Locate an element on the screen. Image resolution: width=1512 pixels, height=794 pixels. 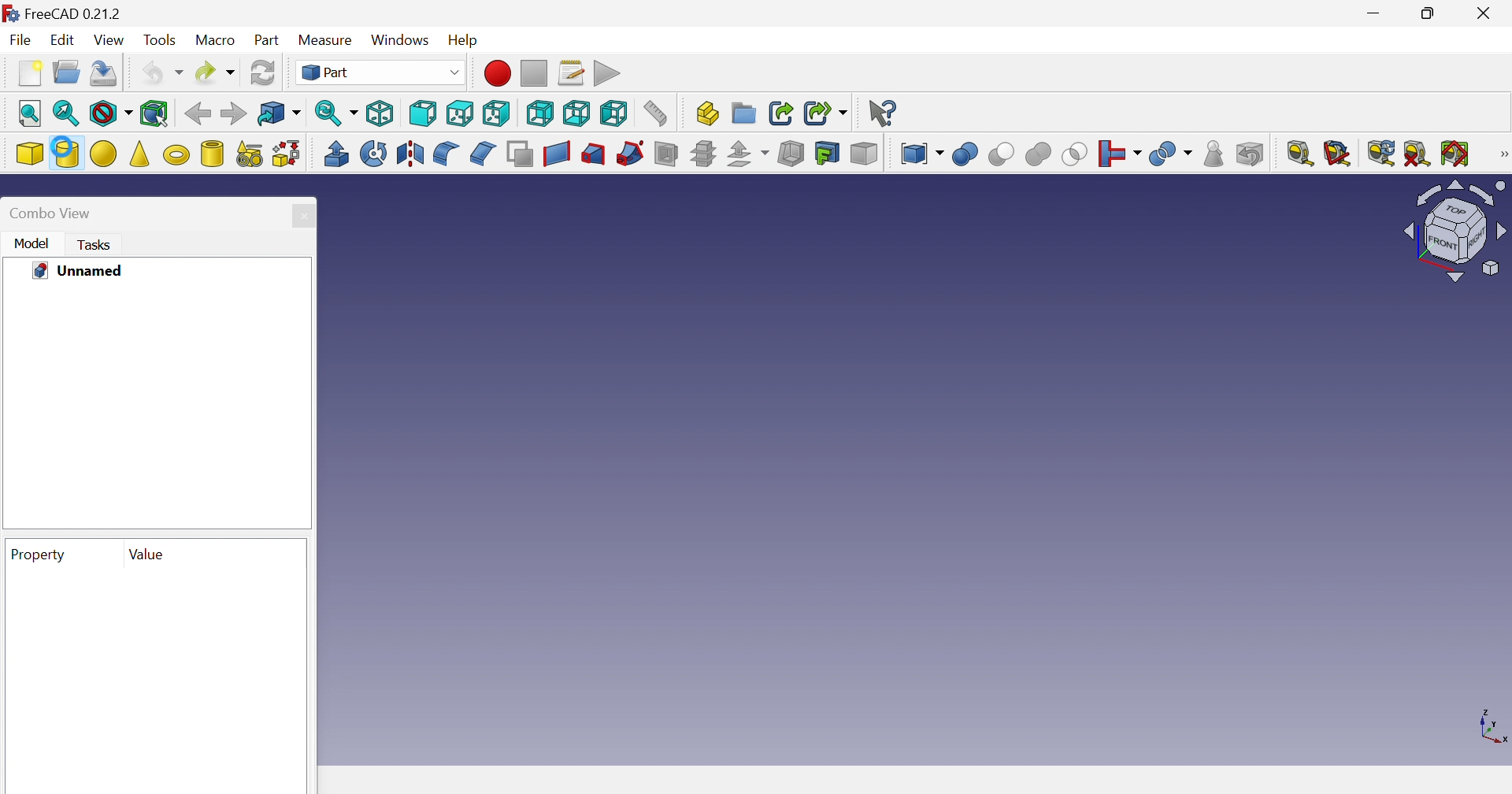
Torus is located at coordinates (176, 156).